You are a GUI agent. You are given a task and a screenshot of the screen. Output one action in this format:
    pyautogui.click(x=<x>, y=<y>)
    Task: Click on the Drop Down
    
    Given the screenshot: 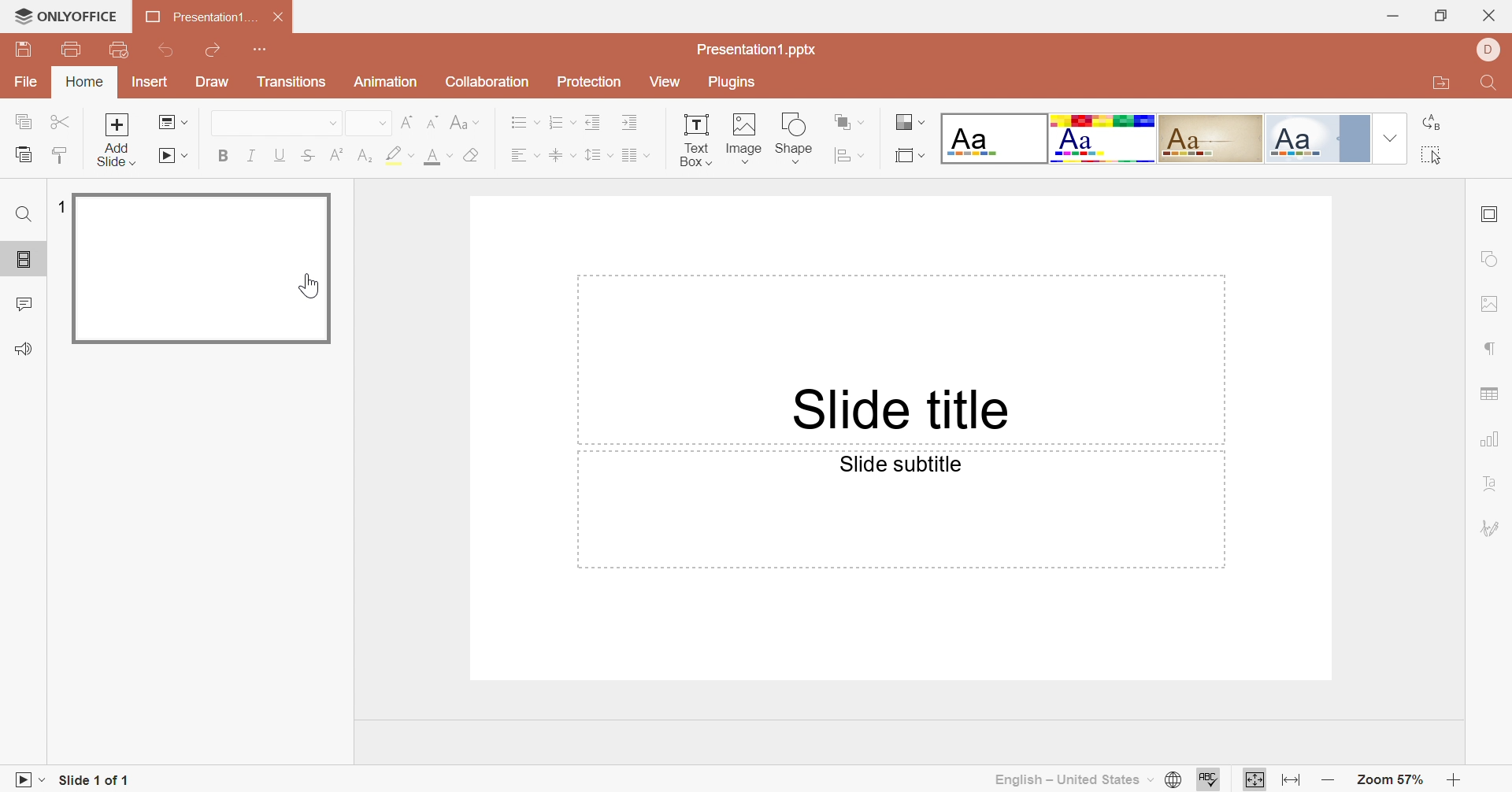 What is the action you would take?
    pyautogui.click(x=572, y=155)
    